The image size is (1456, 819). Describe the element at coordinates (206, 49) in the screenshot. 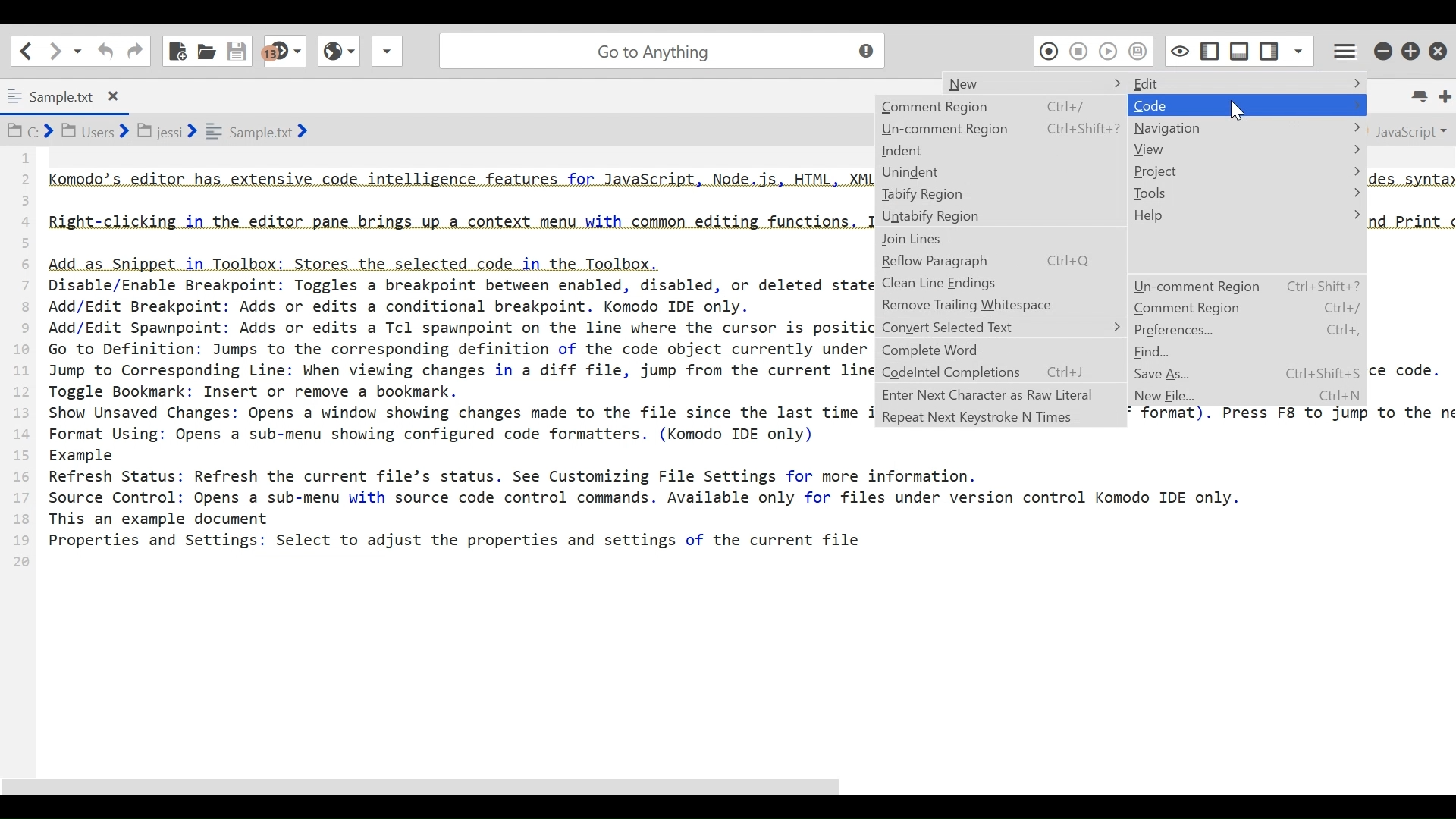

I see `Open File` at that location.